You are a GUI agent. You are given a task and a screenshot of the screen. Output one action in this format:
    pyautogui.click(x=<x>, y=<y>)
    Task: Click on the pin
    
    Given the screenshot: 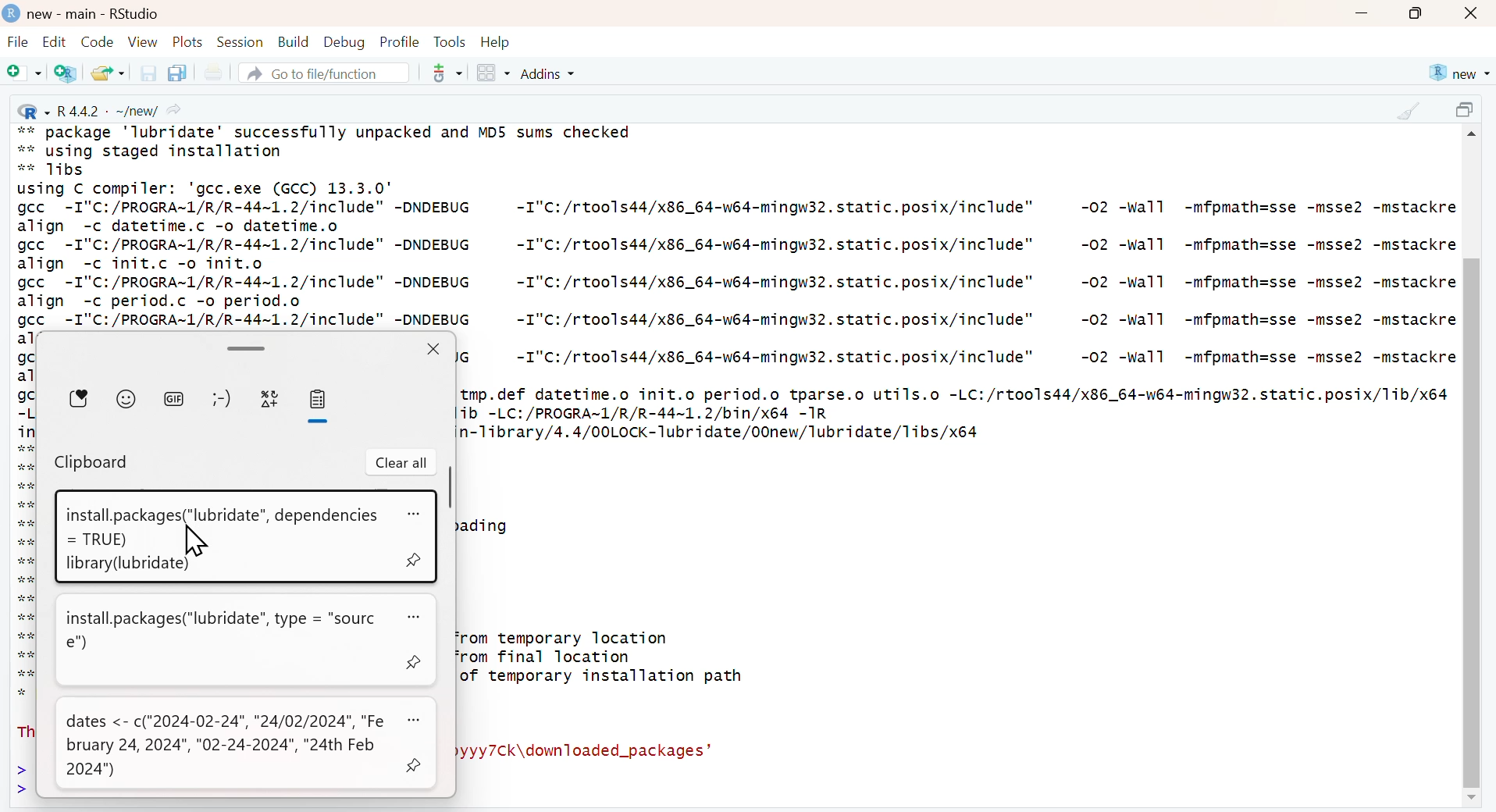 What is the action you would take?
    pyautogui.click(x=415, y=763)
    